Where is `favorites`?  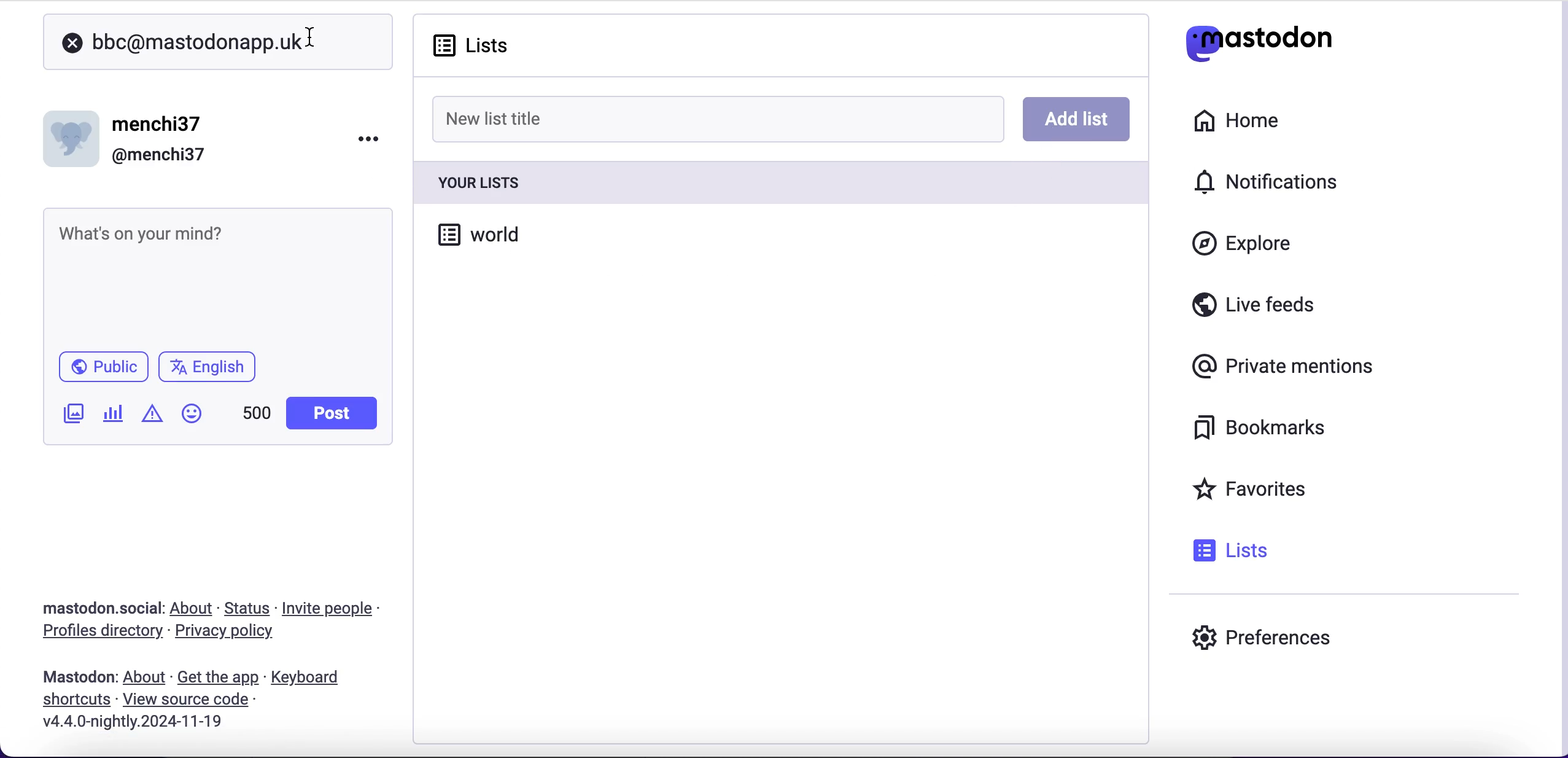
favorites is located at coordinates (1254, 491).